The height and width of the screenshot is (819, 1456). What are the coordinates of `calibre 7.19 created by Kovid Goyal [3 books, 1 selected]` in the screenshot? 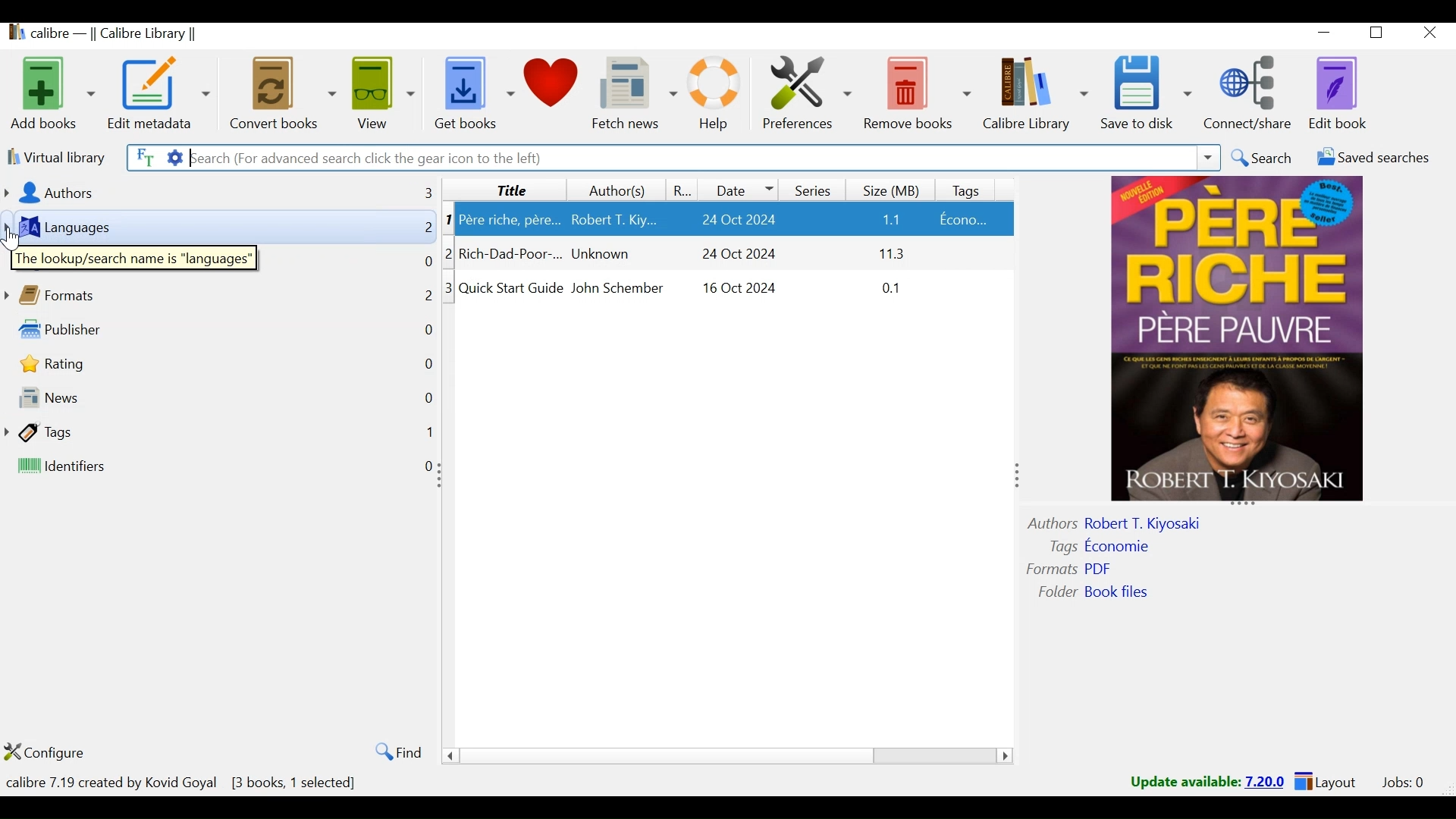 It's located at (184, 780).